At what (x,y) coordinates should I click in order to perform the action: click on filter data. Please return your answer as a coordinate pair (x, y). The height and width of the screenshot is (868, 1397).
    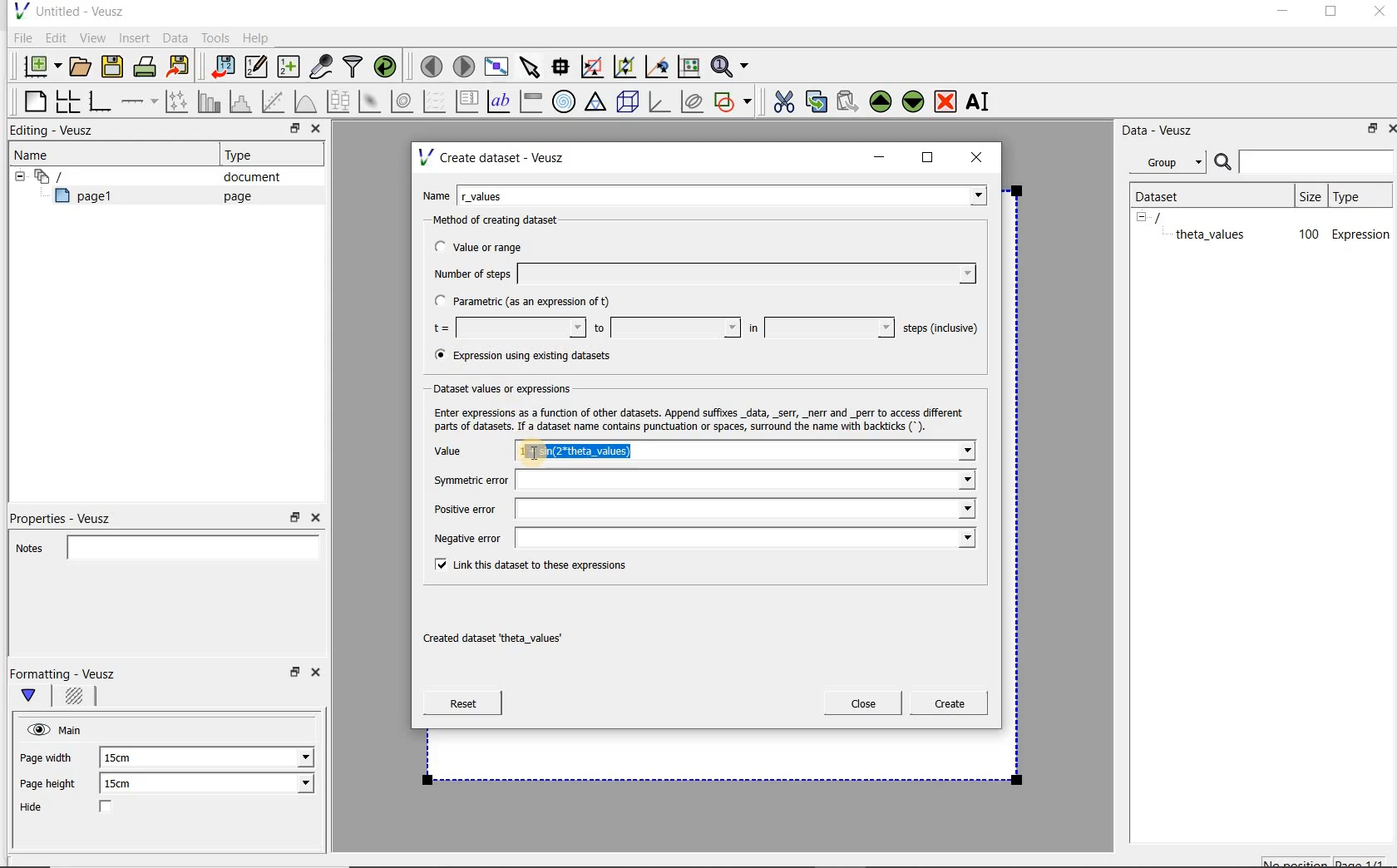
    Looking at the image, I should click on (353, 68).